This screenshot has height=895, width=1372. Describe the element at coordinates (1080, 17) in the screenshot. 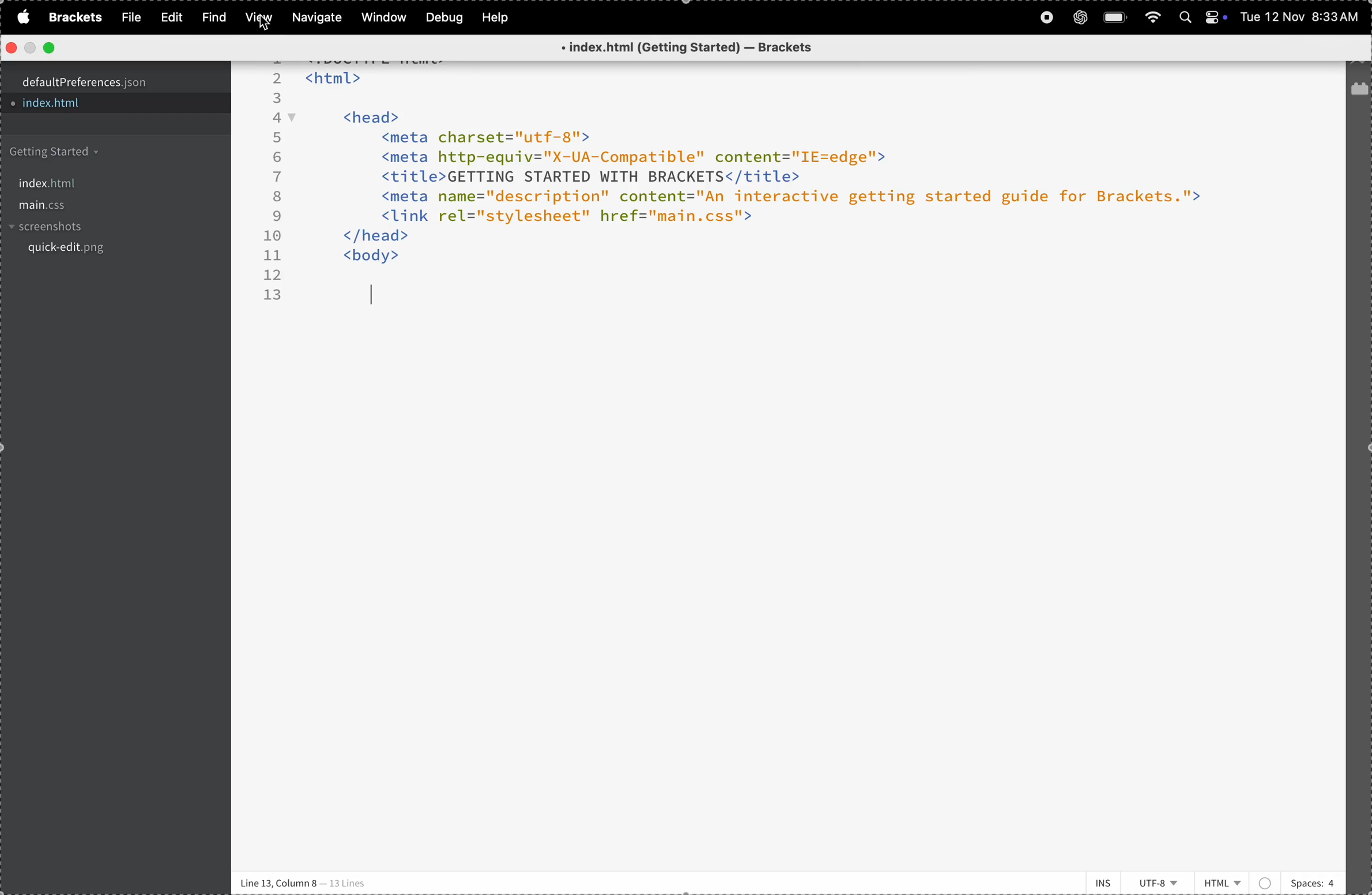

I see `chatgpt` at that location.